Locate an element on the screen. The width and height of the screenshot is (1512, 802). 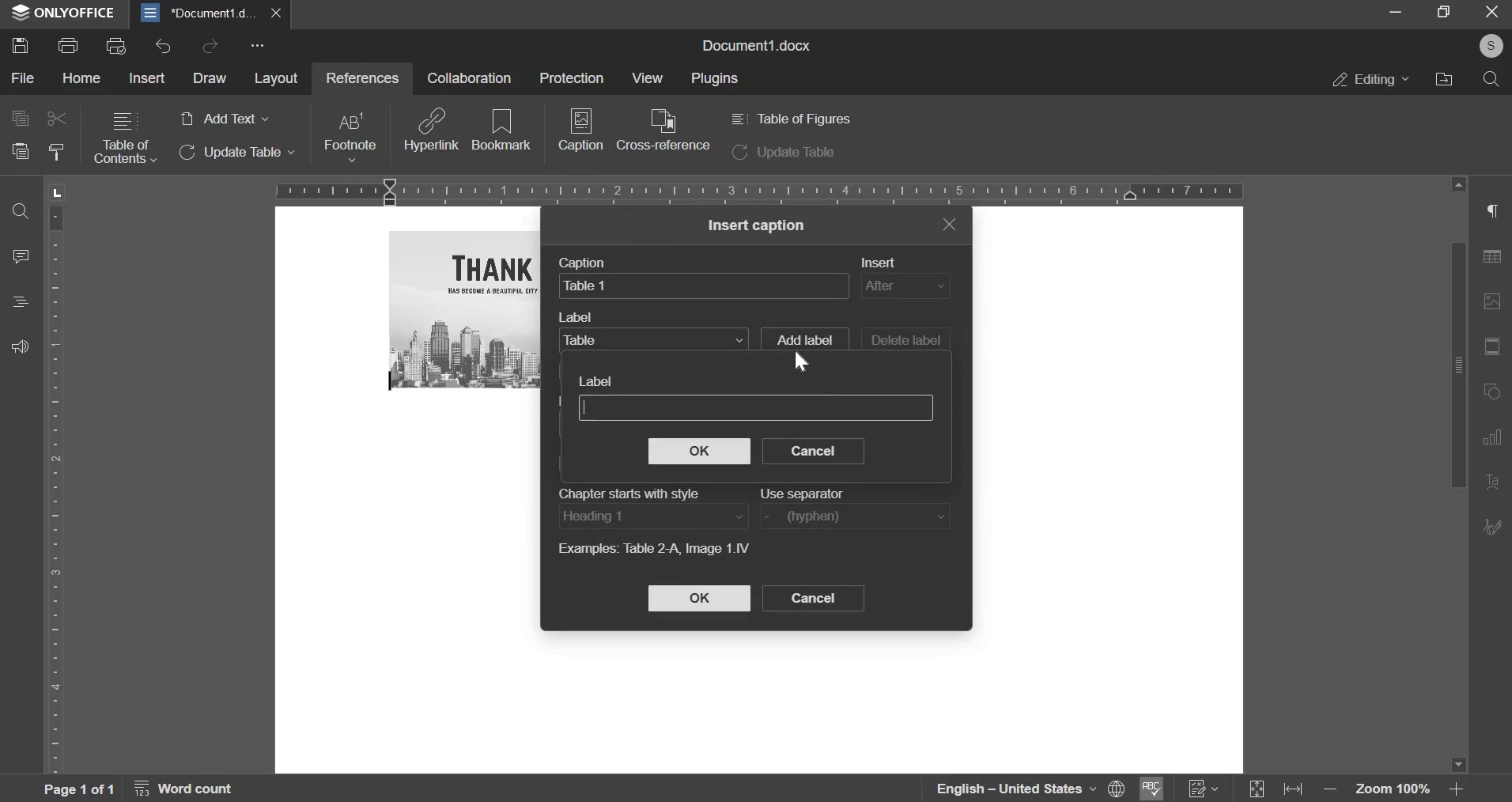
image is located at coordinates (467, 309).